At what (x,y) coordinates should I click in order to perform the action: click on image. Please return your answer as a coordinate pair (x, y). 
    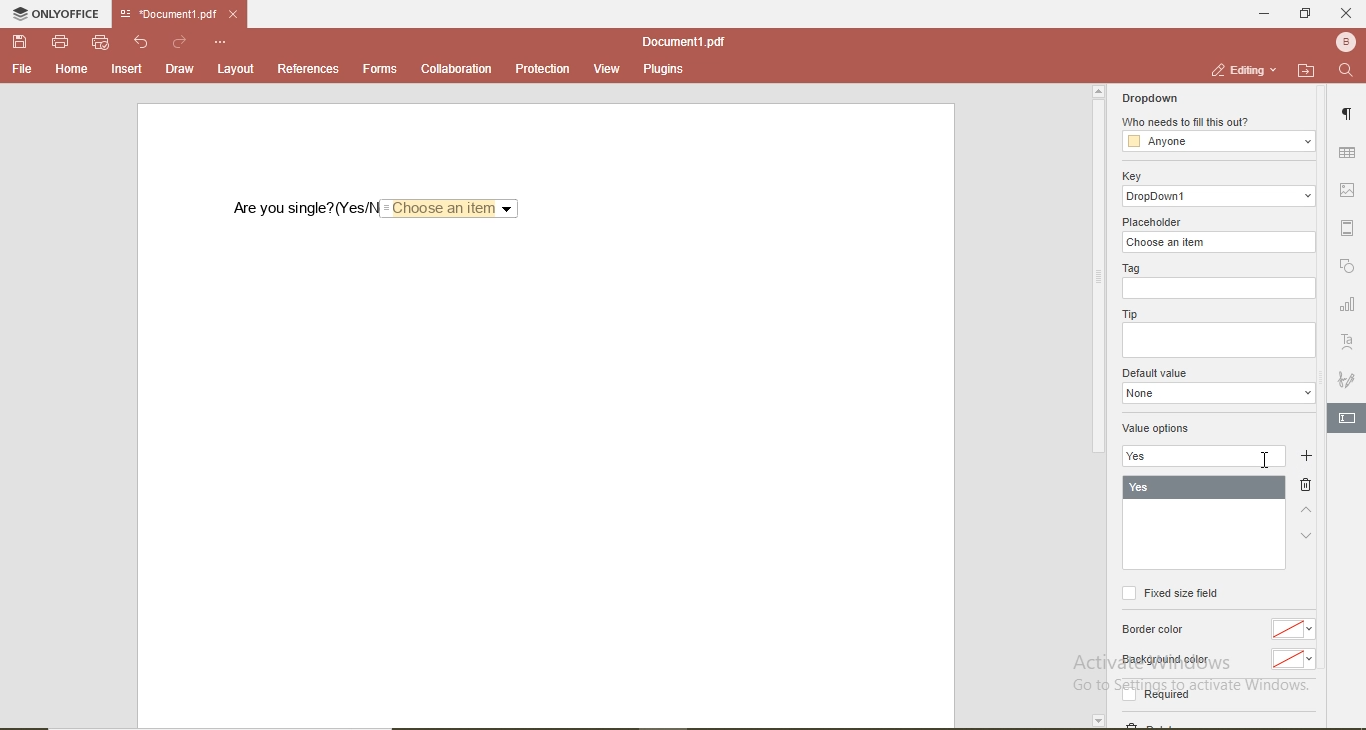
    Looking at the image, I should click on (1348, 187).